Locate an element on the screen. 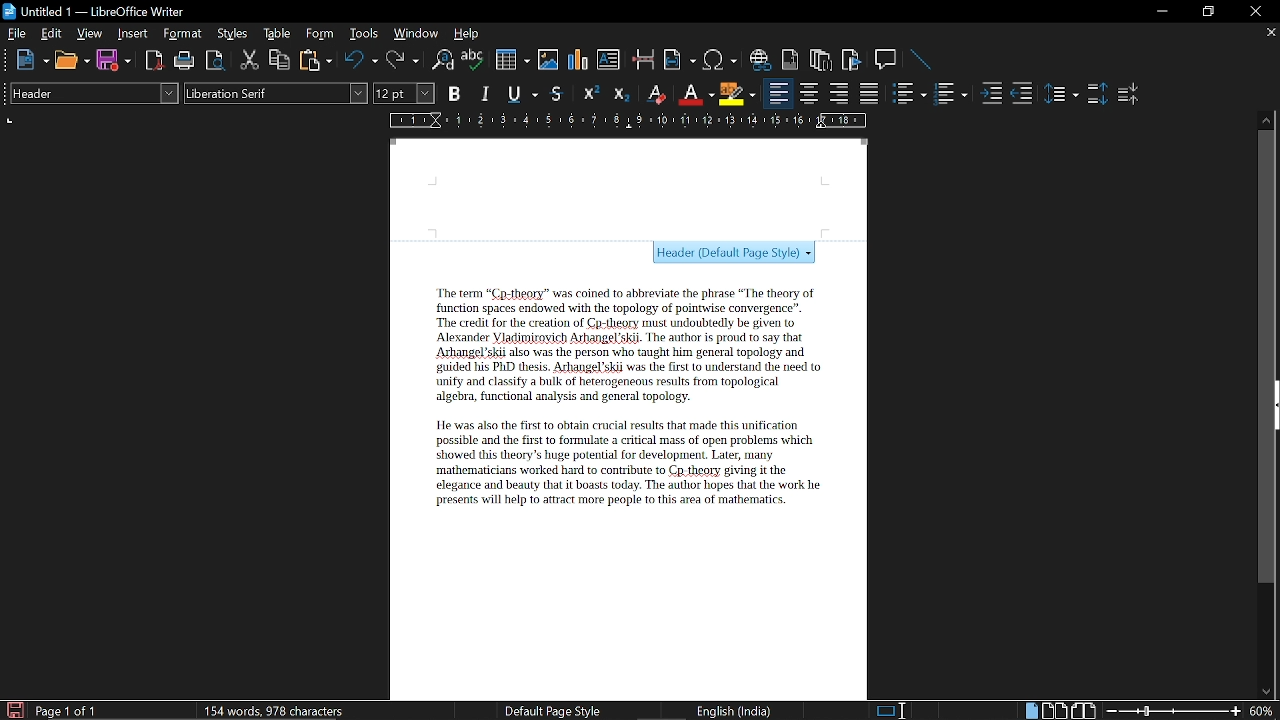 This screenshot has width=1280, height=720. Highlight is located at coordinates (738, 93).